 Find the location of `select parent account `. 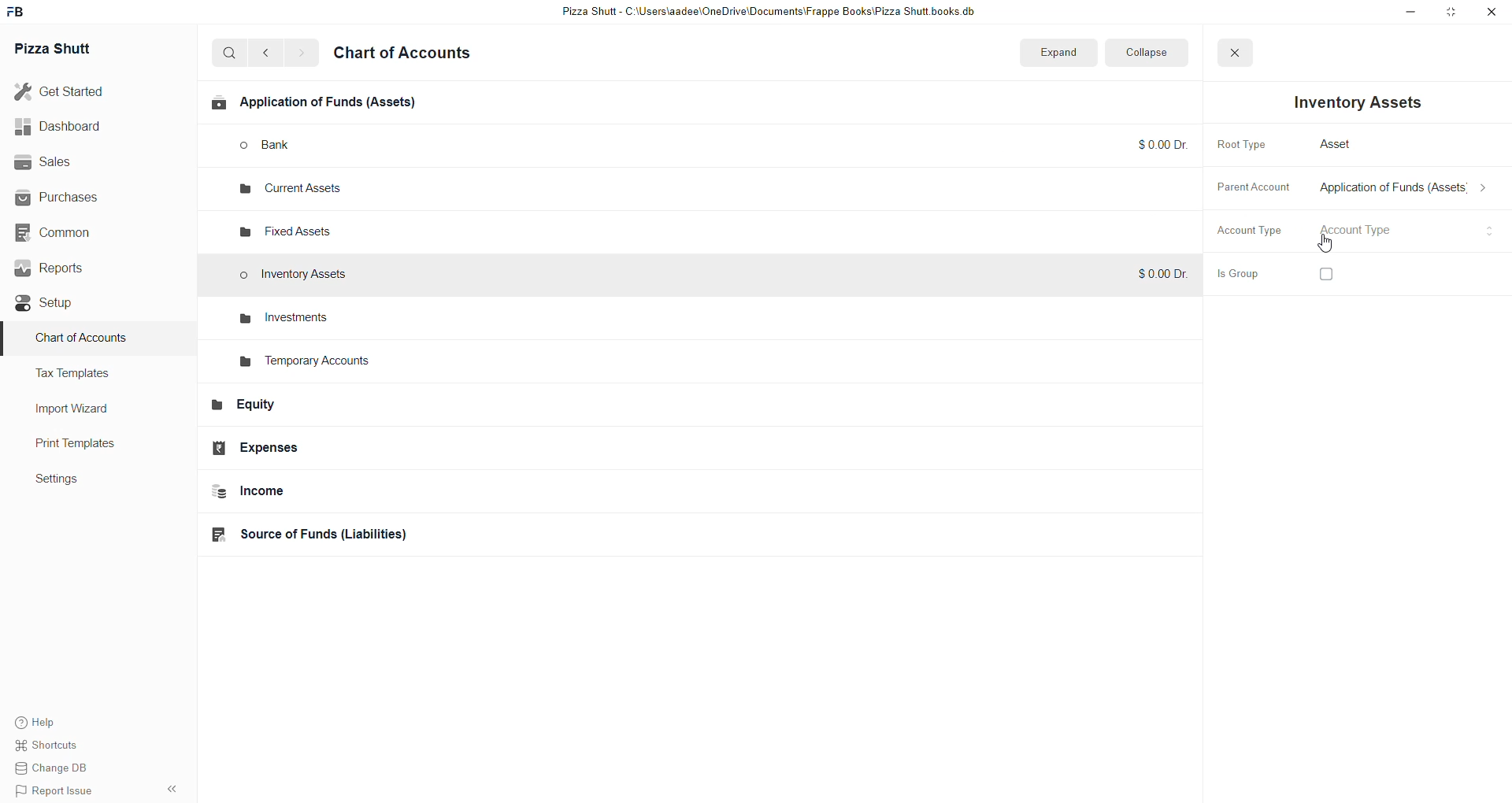

select parent account  is located at coordinates (1398, 191).